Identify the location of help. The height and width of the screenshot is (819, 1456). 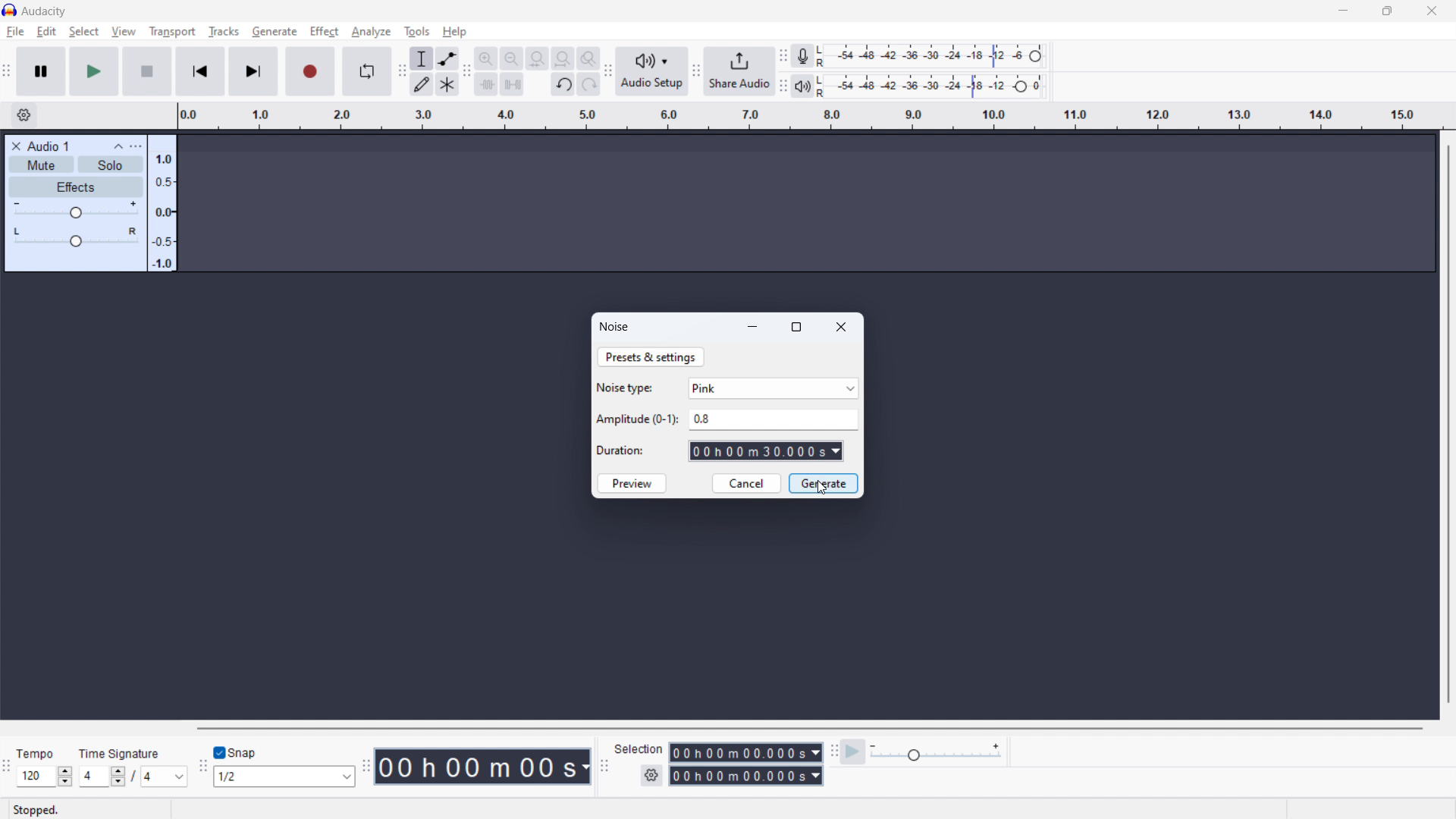
(454, 32).